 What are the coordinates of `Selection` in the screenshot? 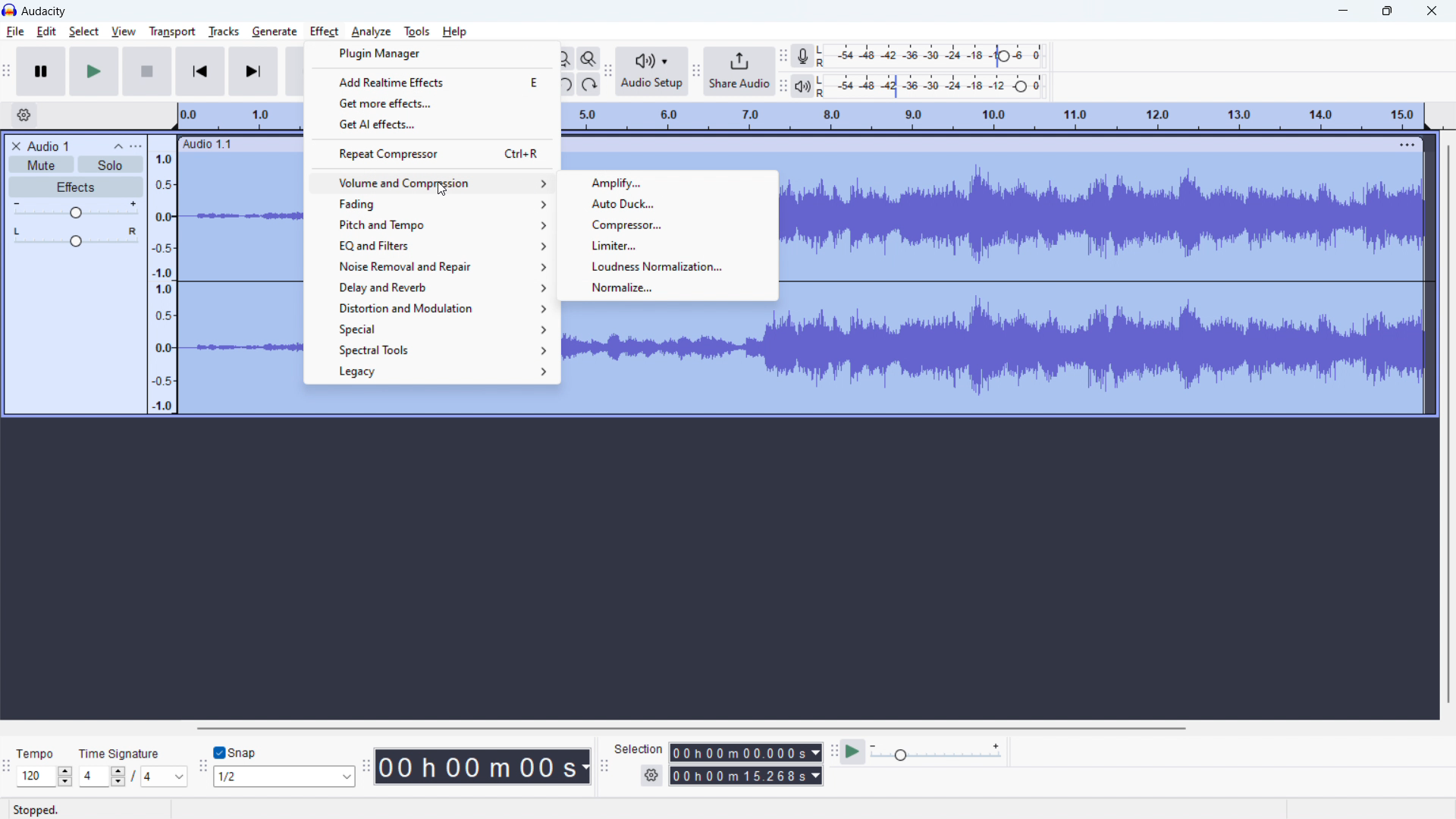 It's located at (639, 747).